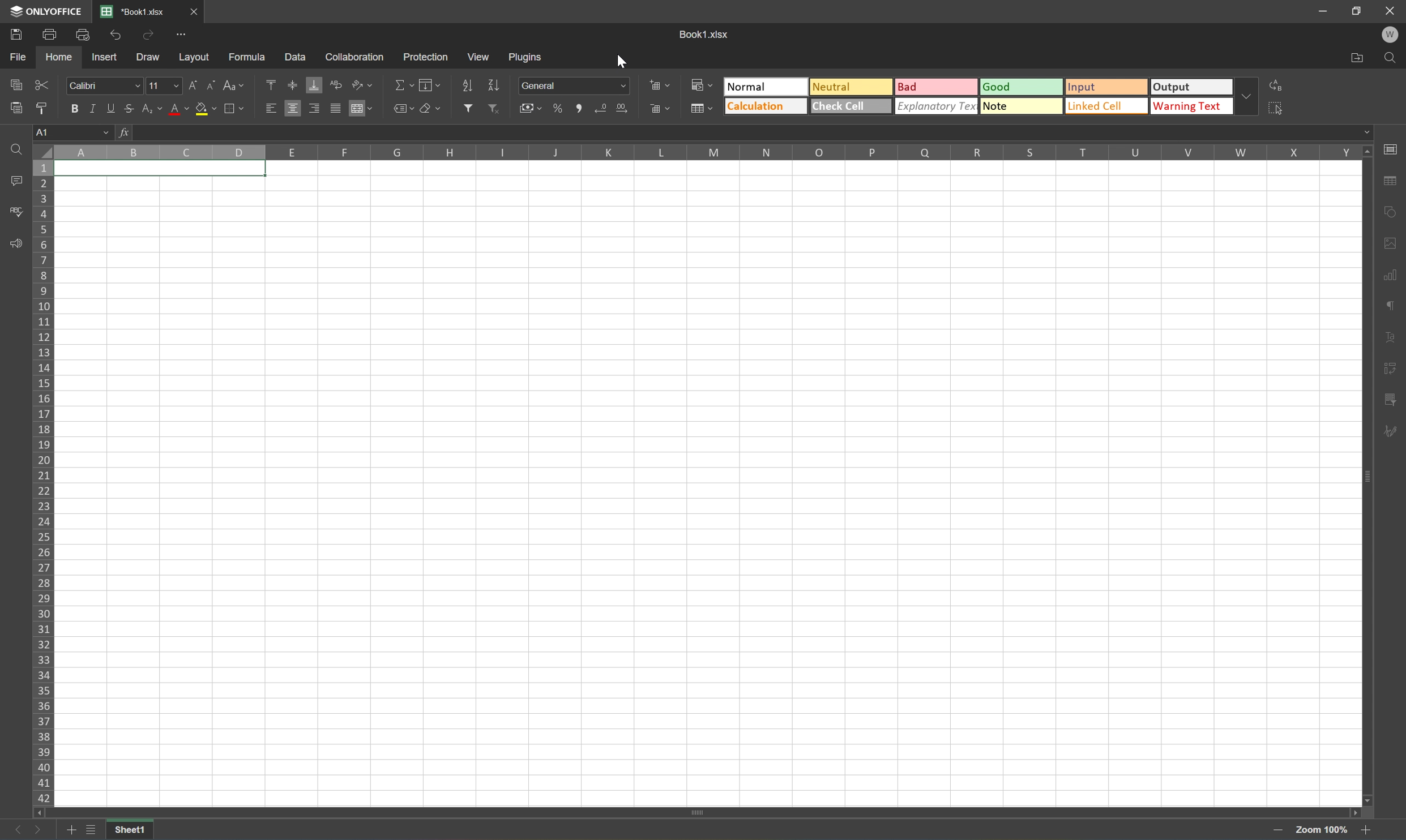 This screenshot has height=840, width=1406. Describe the element at coordinates (1390, 214) in the screenshot. I see `Shape settings` at that location.